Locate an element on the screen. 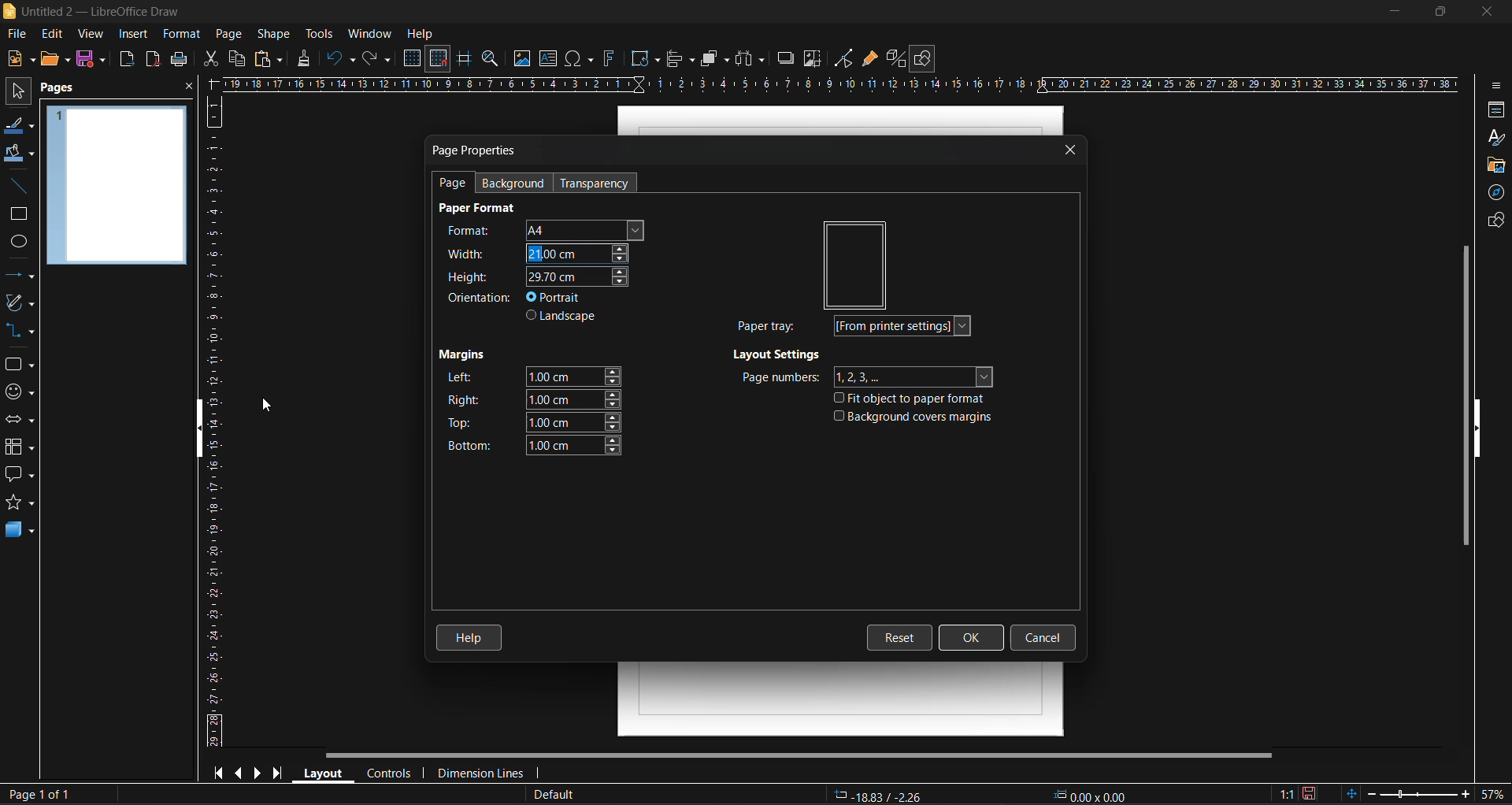 The height and width of the screenshot is (805, 1512). orientation is located at coordinates (480, 299).